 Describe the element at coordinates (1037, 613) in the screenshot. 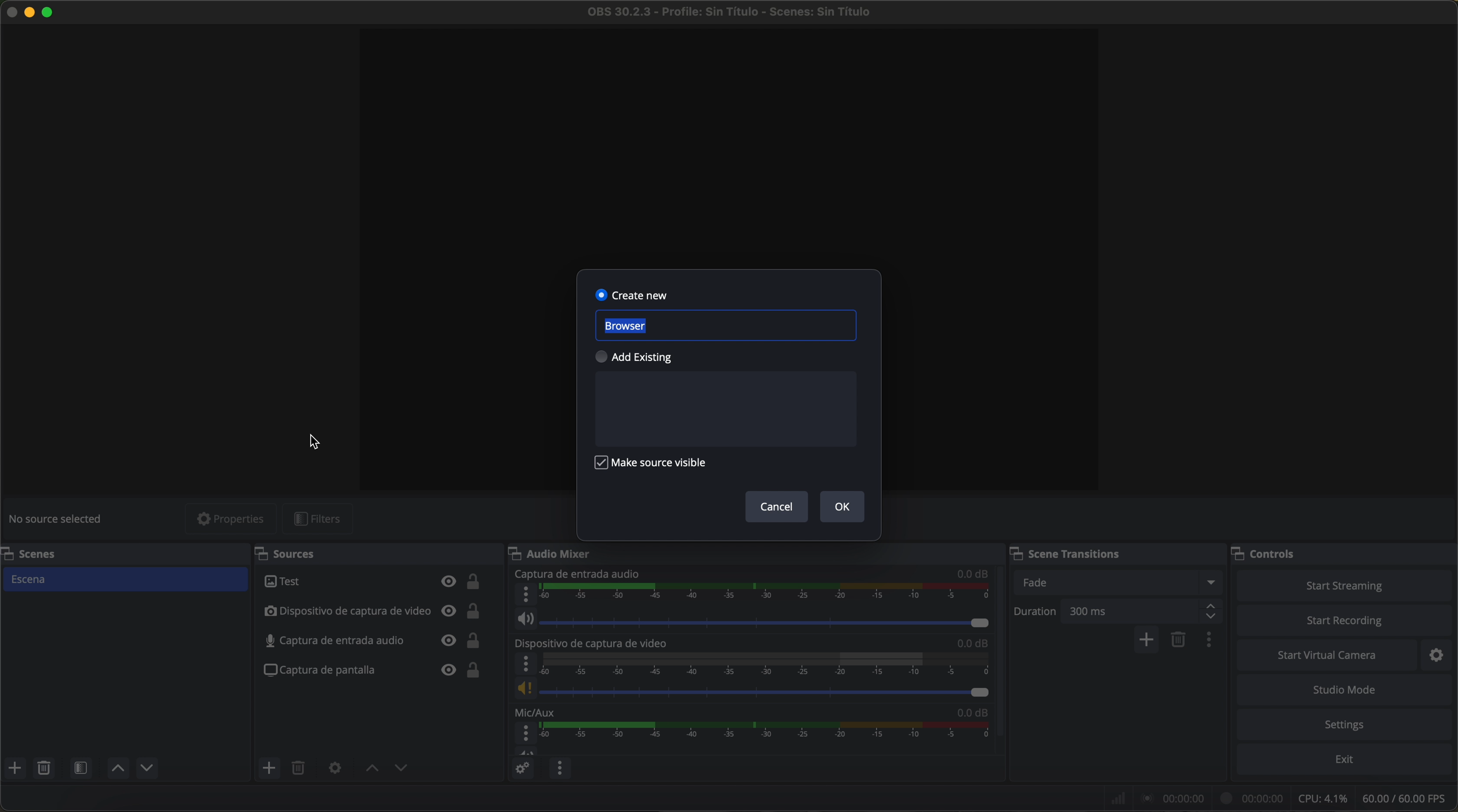

I see `duration` at that location.